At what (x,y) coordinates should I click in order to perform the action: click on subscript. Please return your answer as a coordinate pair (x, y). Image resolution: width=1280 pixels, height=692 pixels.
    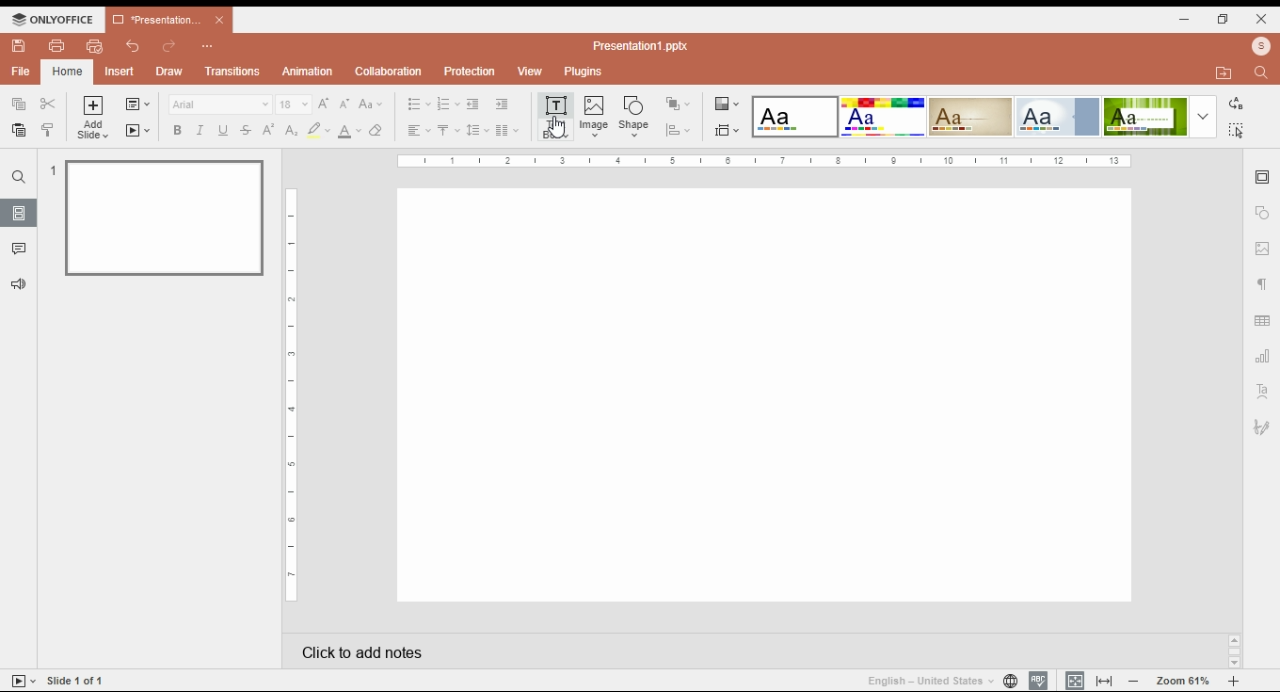
    Looking at the image, I should click on (291, 131).